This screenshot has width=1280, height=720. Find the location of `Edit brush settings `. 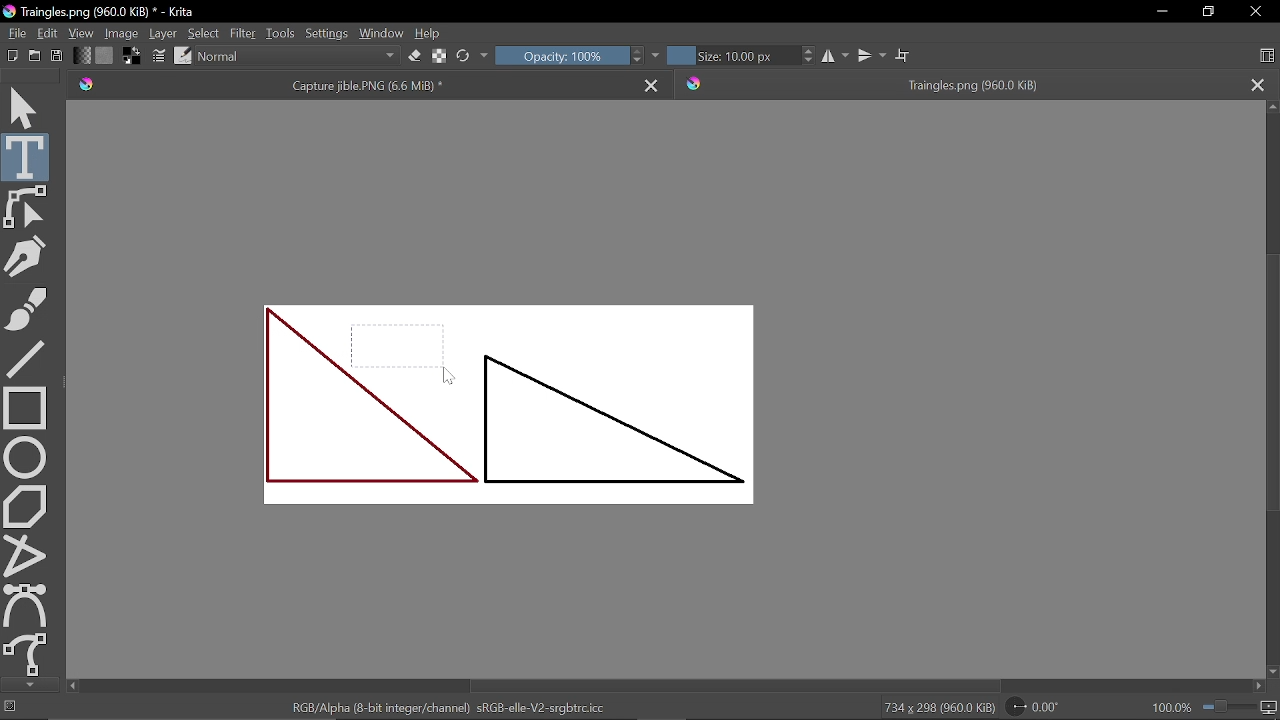

Edit brush settings  is located at coordinates (160, 57).